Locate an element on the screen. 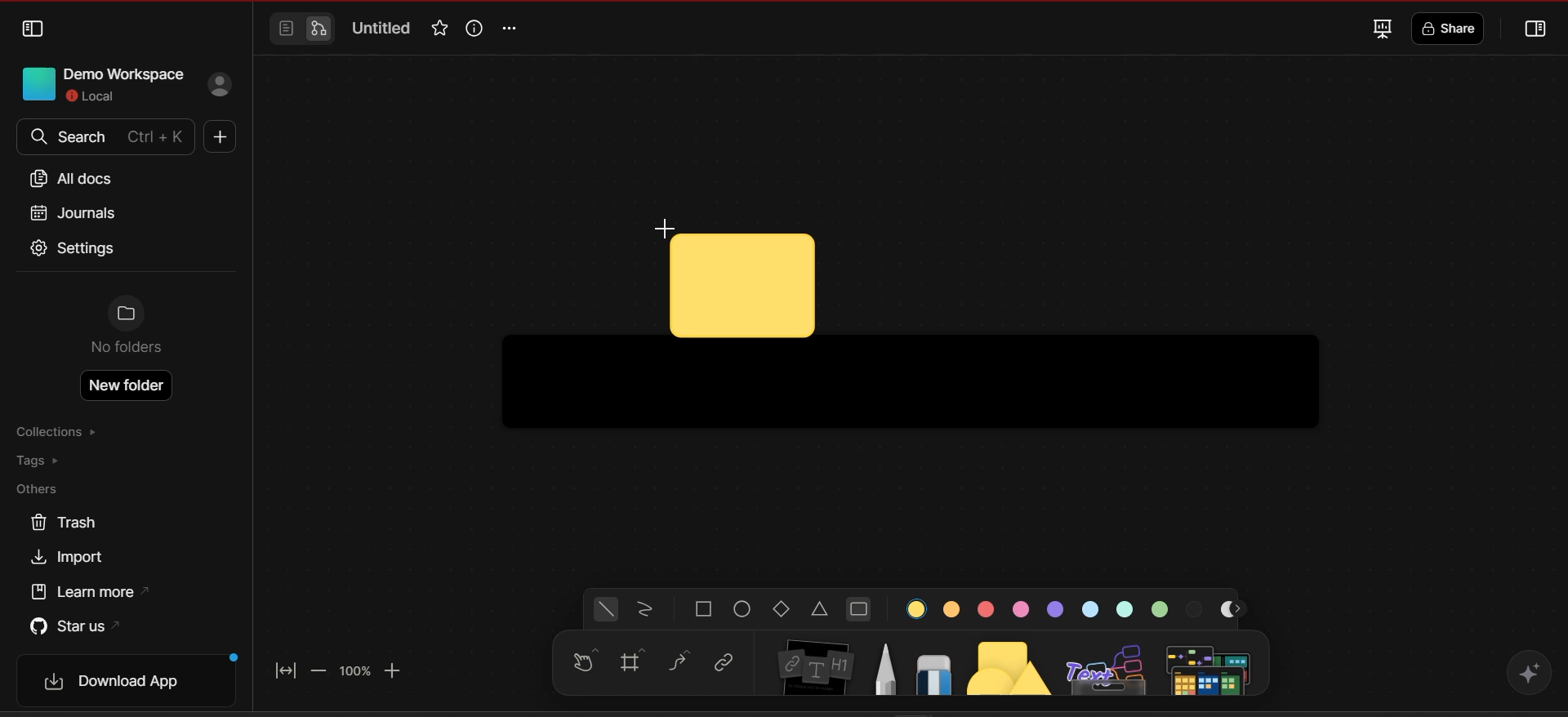 Image resolution: width=1568 pixels, height=717 pixels. zoom out is located at coordinates (319, 670).